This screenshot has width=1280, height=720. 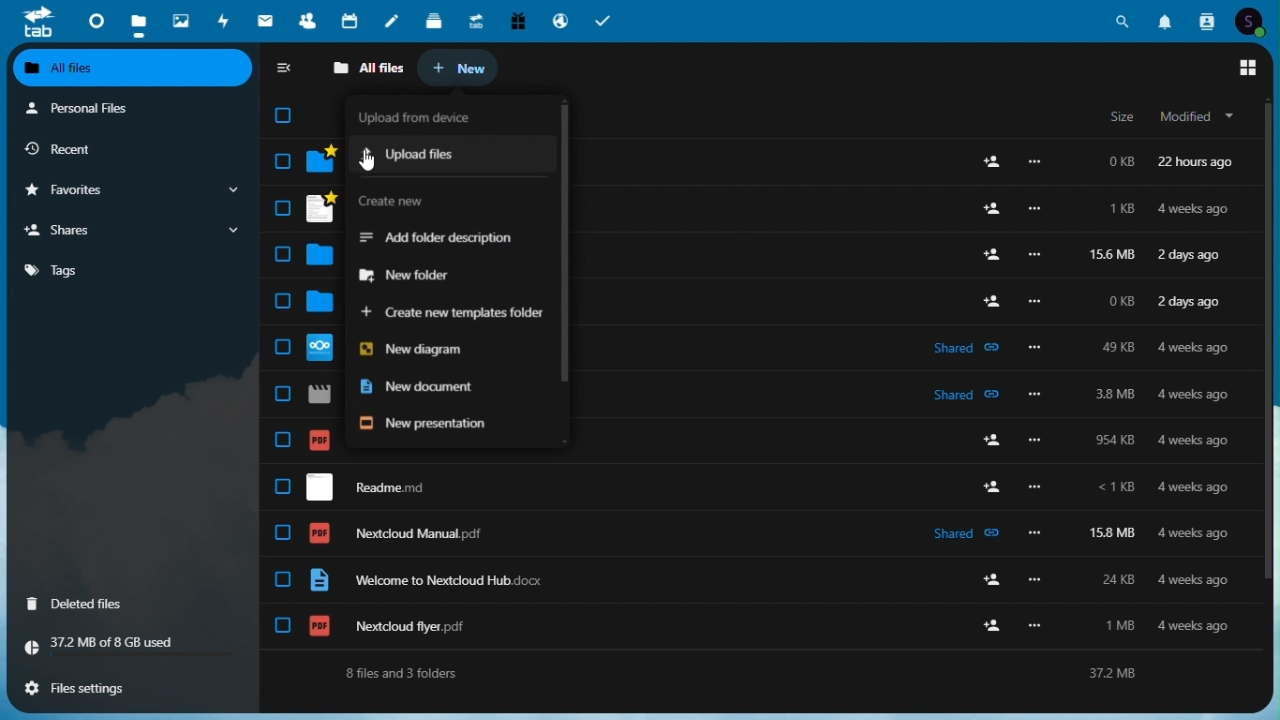 I want to click on more options, so click(x=1034, y=210).